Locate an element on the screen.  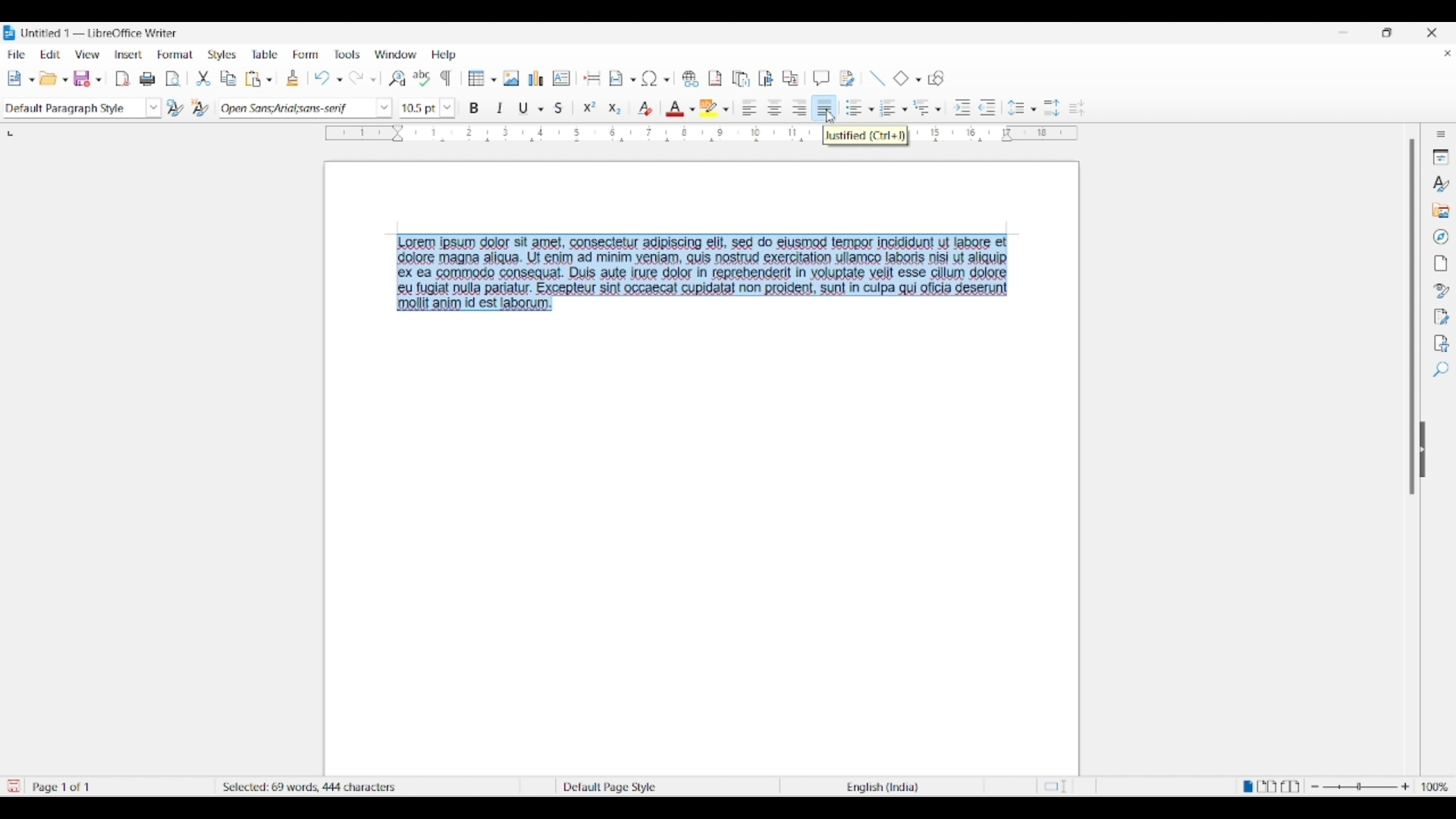
Clear direct formatting is located at coordinates (645, 108).